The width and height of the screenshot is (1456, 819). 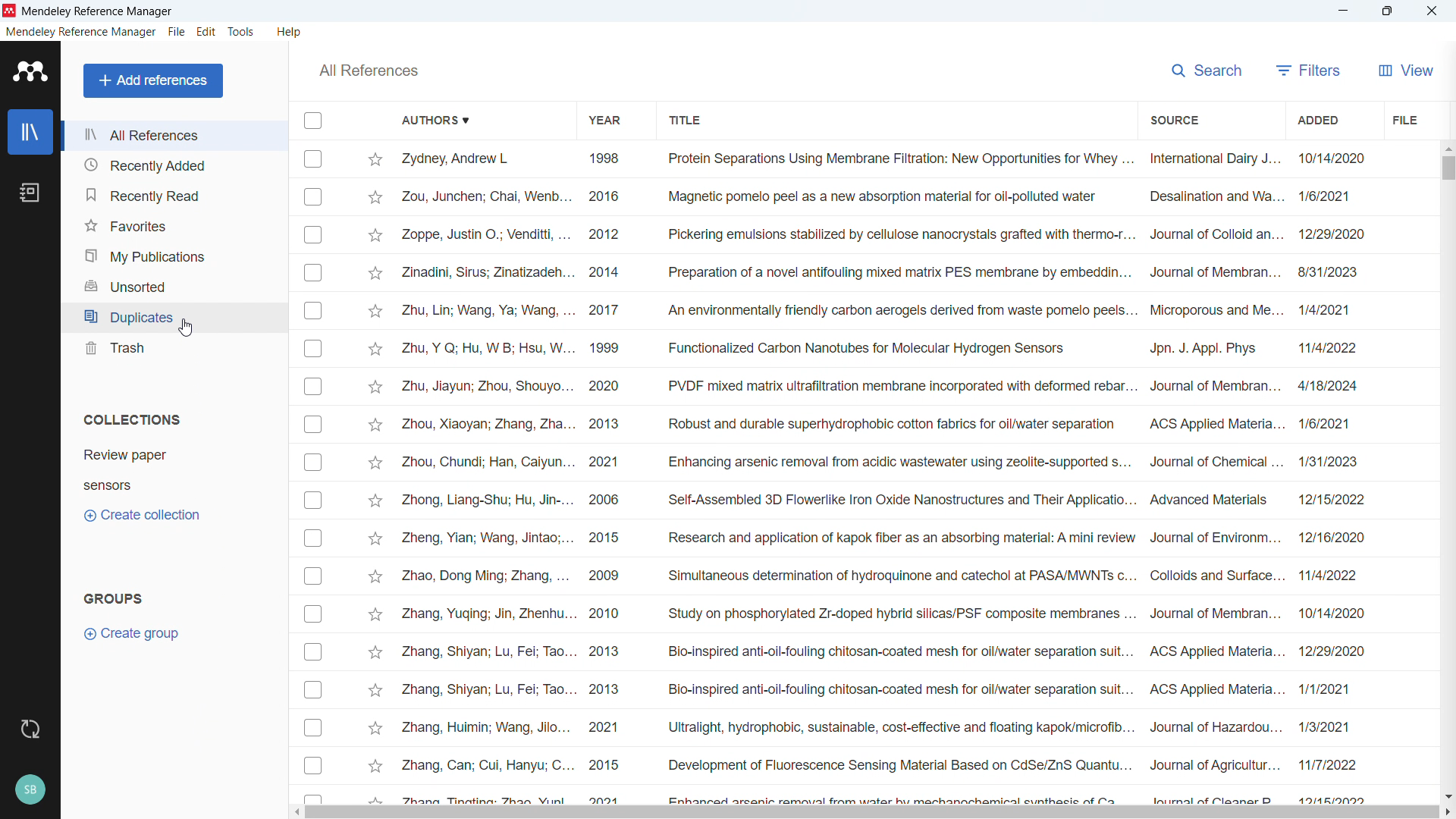 I want to click on Sort by authors , so click(x=436, y=121).